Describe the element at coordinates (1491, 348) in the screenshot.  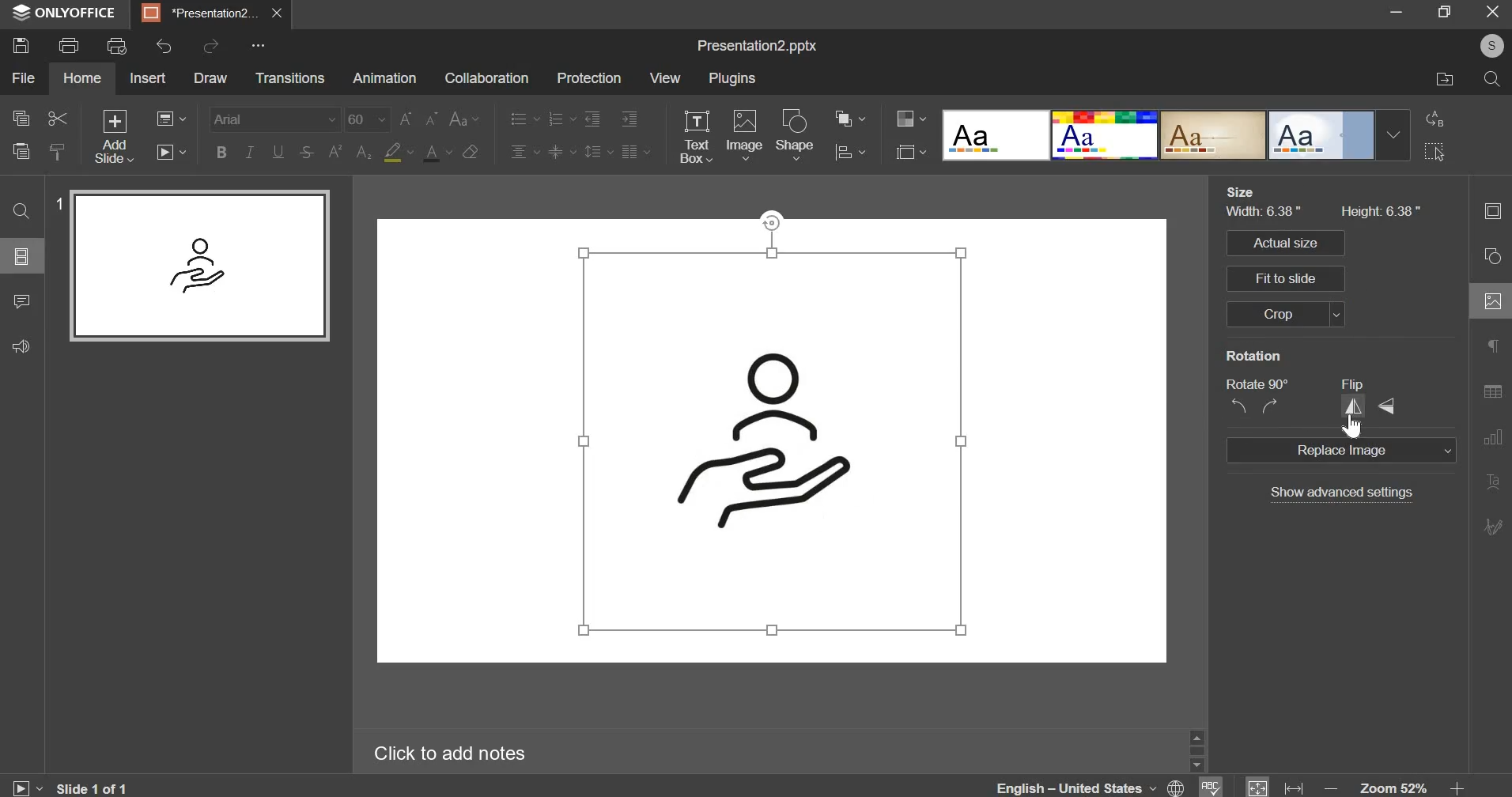
I see `paragraph settings` at that location.